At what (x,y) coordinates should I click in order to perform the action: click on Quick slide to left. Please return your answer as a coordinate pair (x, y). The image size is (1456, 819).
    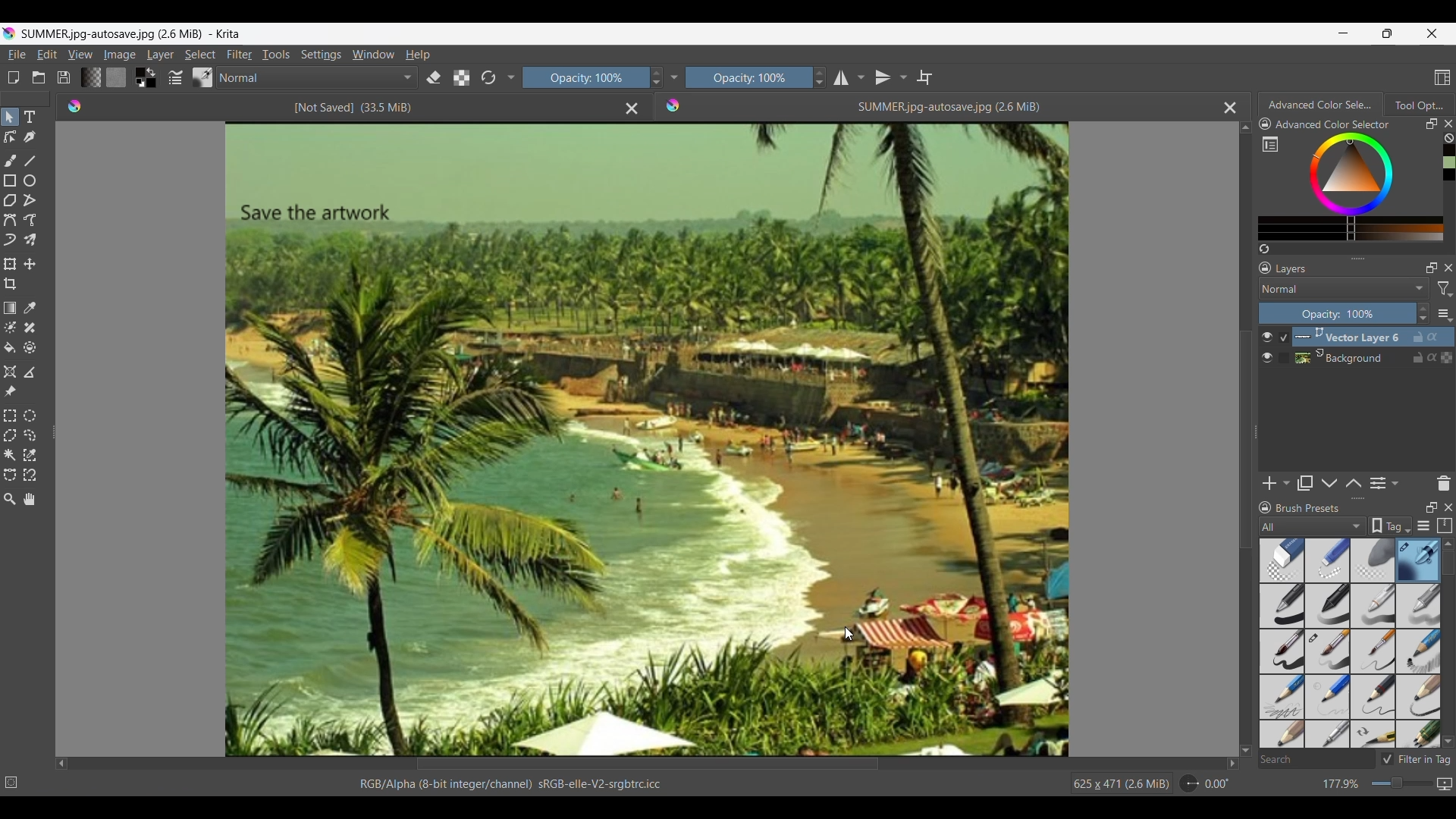
    Looking at the image, I should click on (62, 764).